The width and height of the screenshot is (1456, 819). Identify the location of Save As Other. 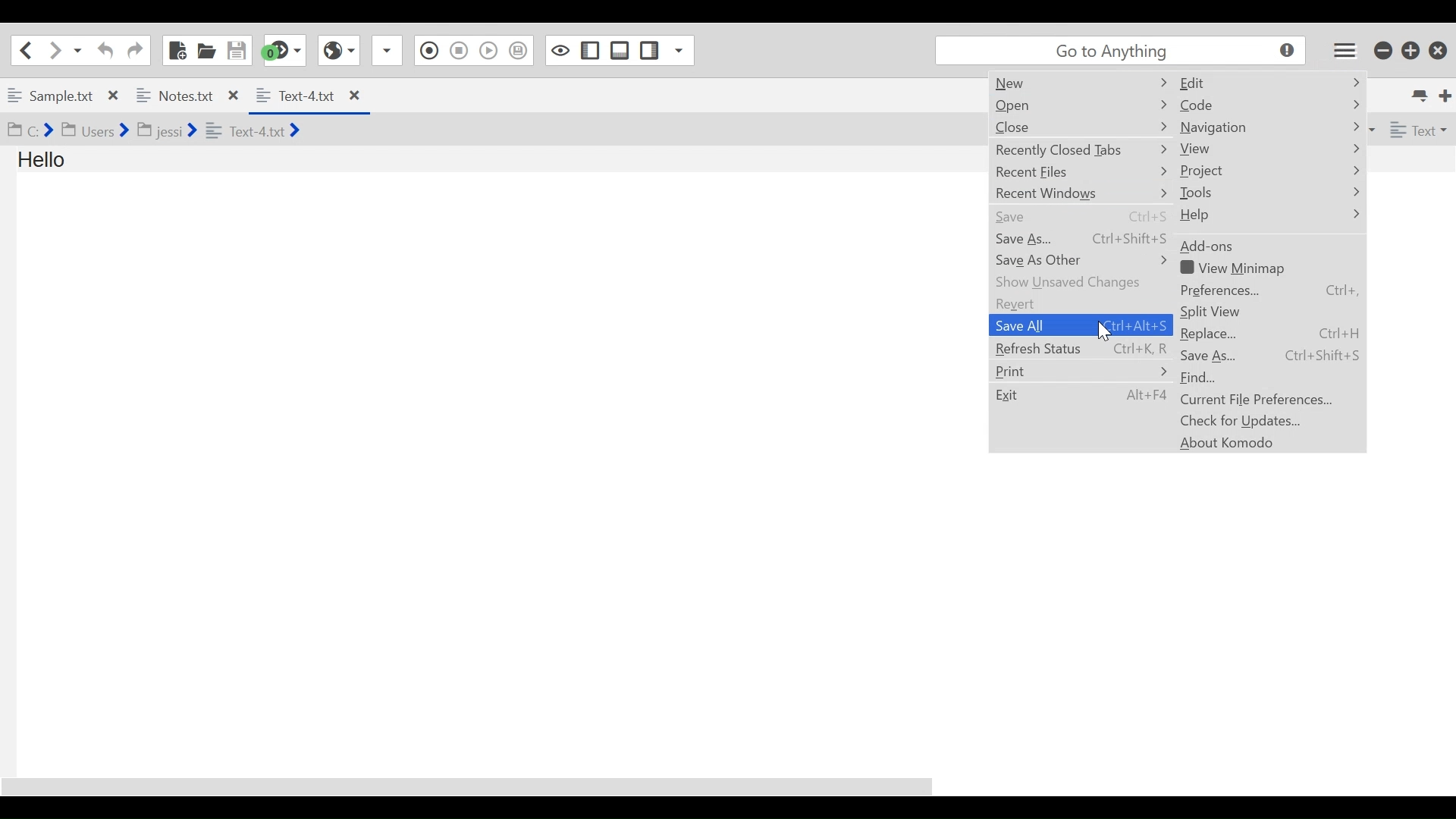
(1081, 259).